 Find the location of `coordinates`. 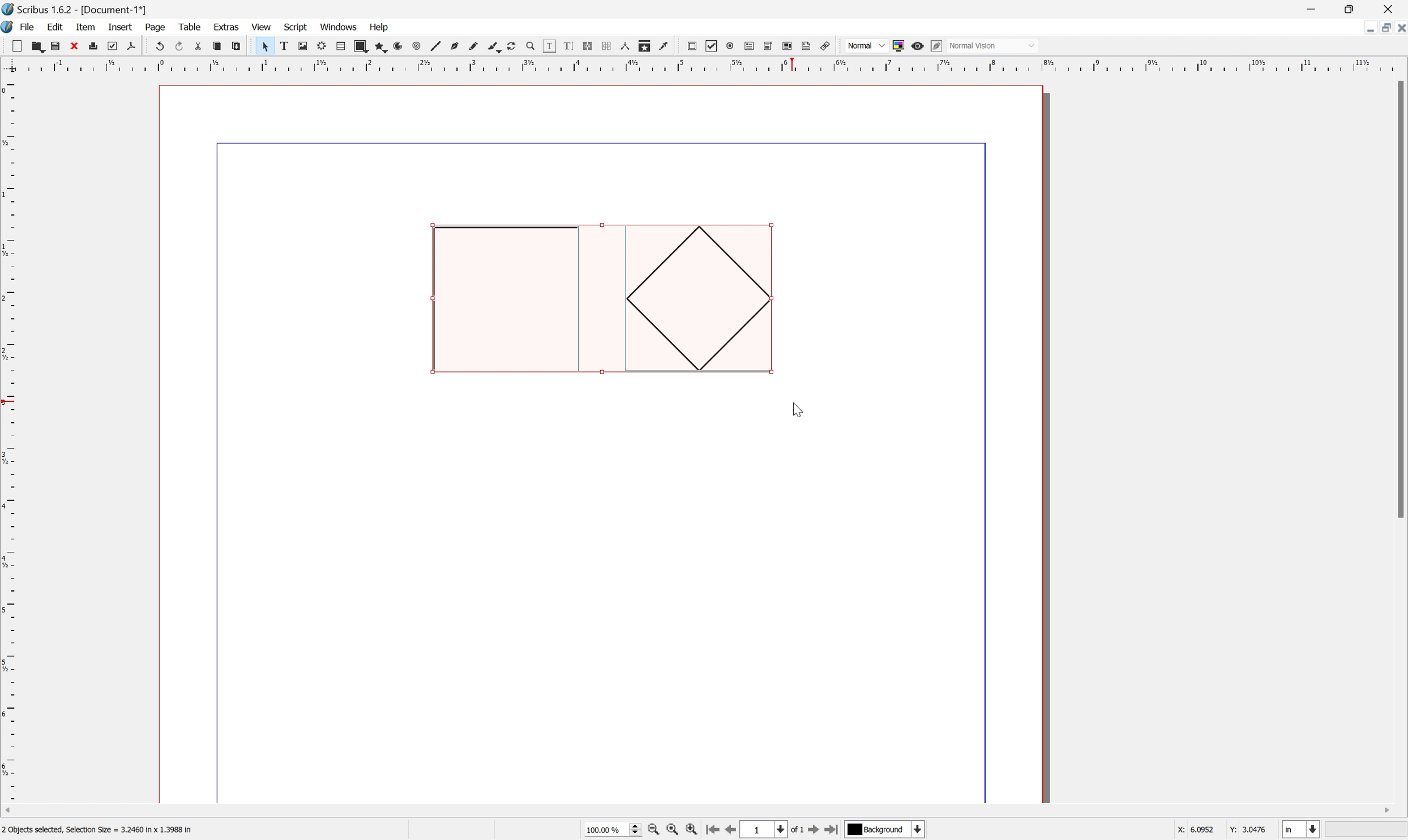

coordinates is located at coordinates (1221, 828).